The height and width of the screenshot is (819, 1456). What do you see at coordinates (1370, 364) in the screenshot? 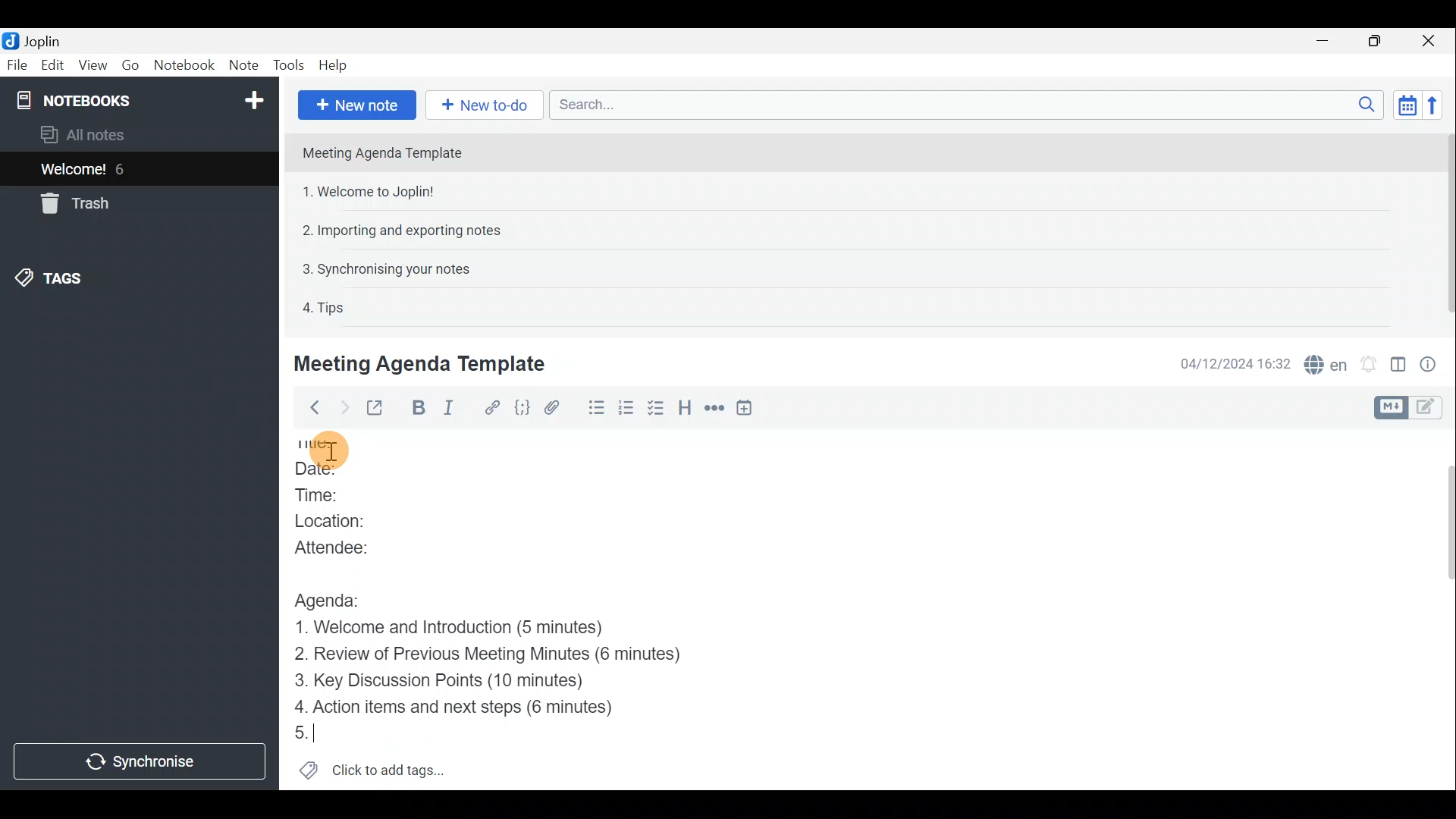
I see `Set alarm` at bounding box center [1370, 364].